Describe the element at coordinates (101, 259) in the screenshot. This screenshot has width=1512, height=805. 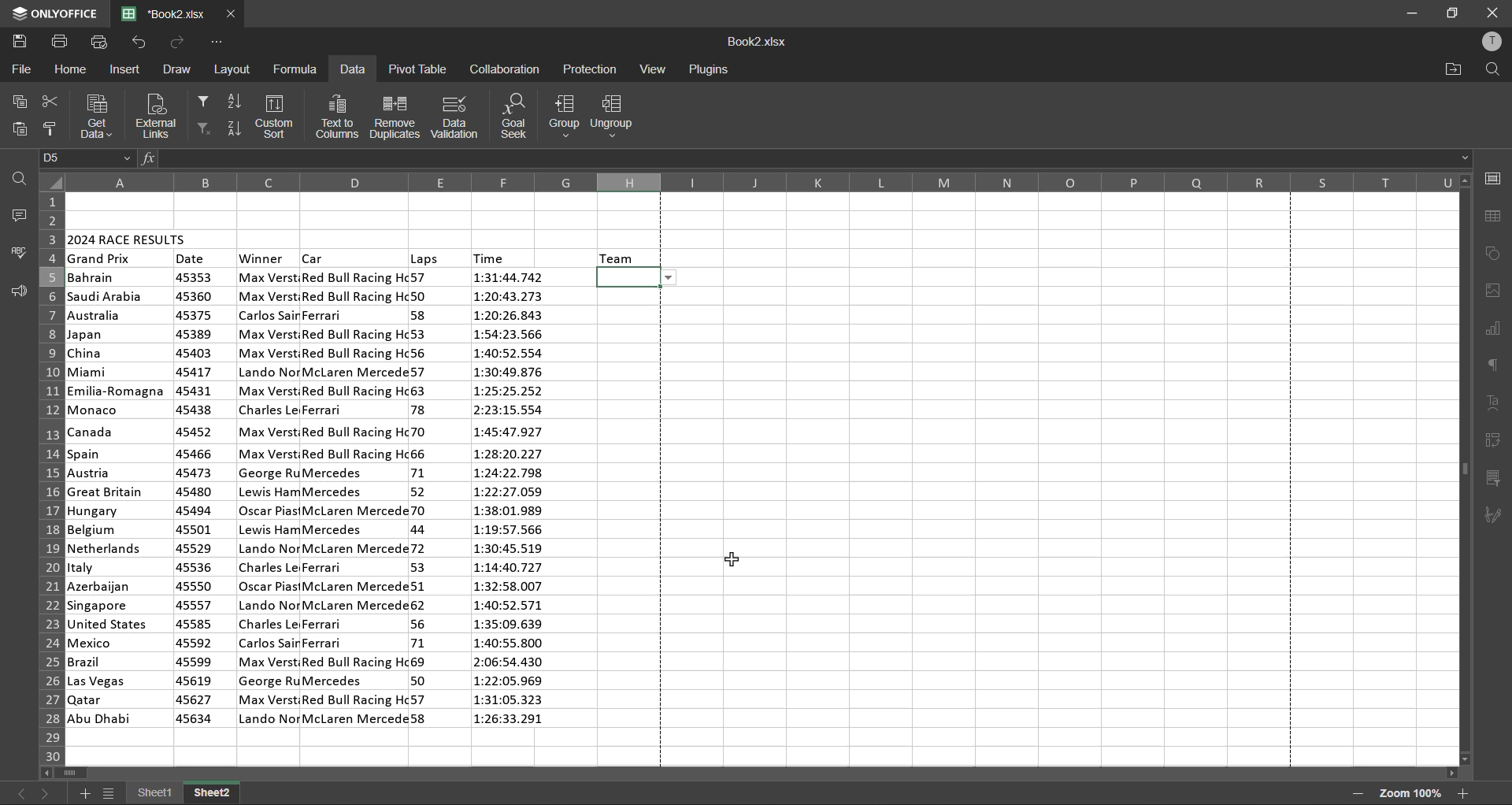
I see `grand prix` at that location.